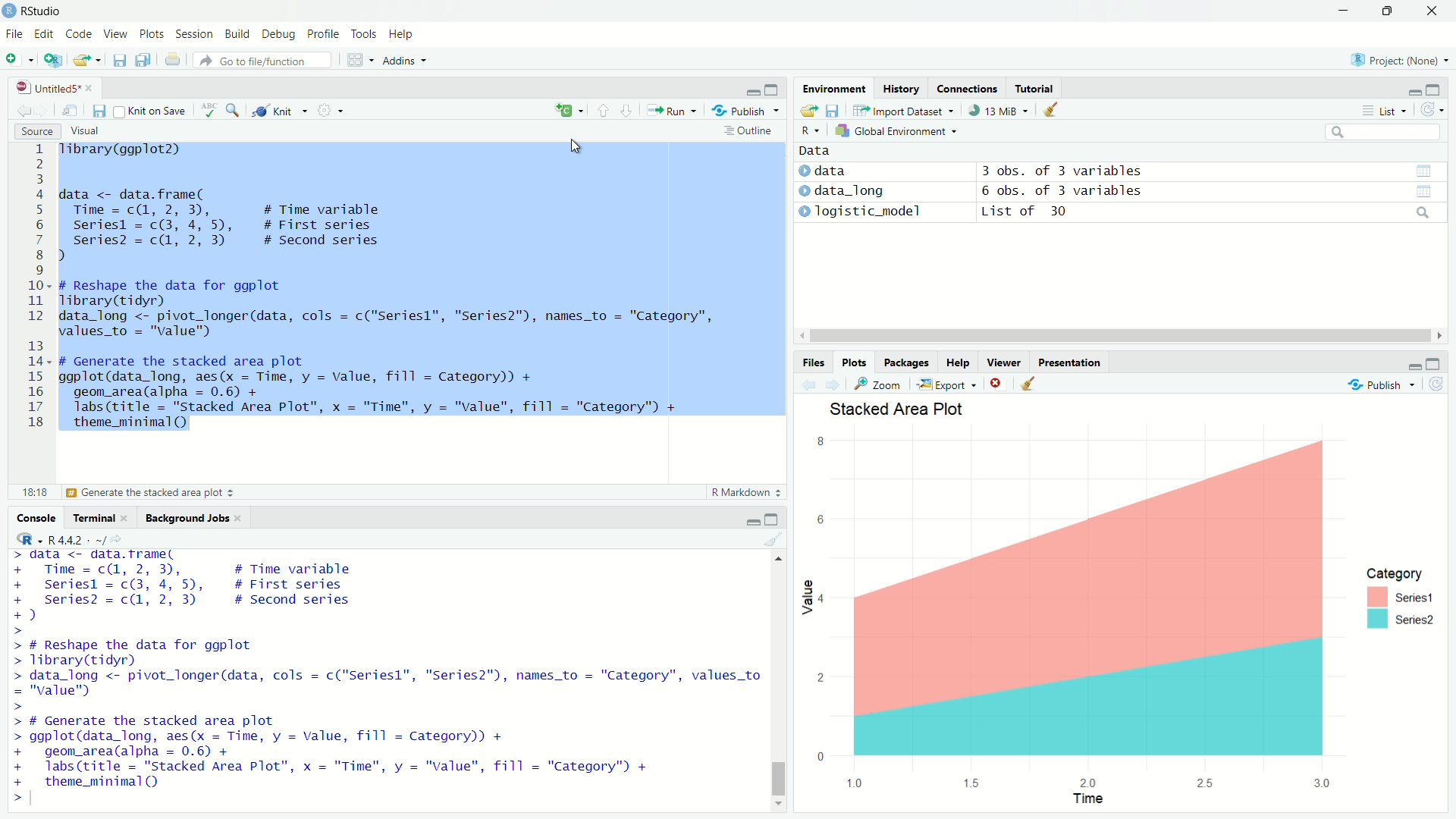  What do you see at coordinates (892, 131) in the screenshot?
I see `Global Environment =` at bounding box center [892, 131].